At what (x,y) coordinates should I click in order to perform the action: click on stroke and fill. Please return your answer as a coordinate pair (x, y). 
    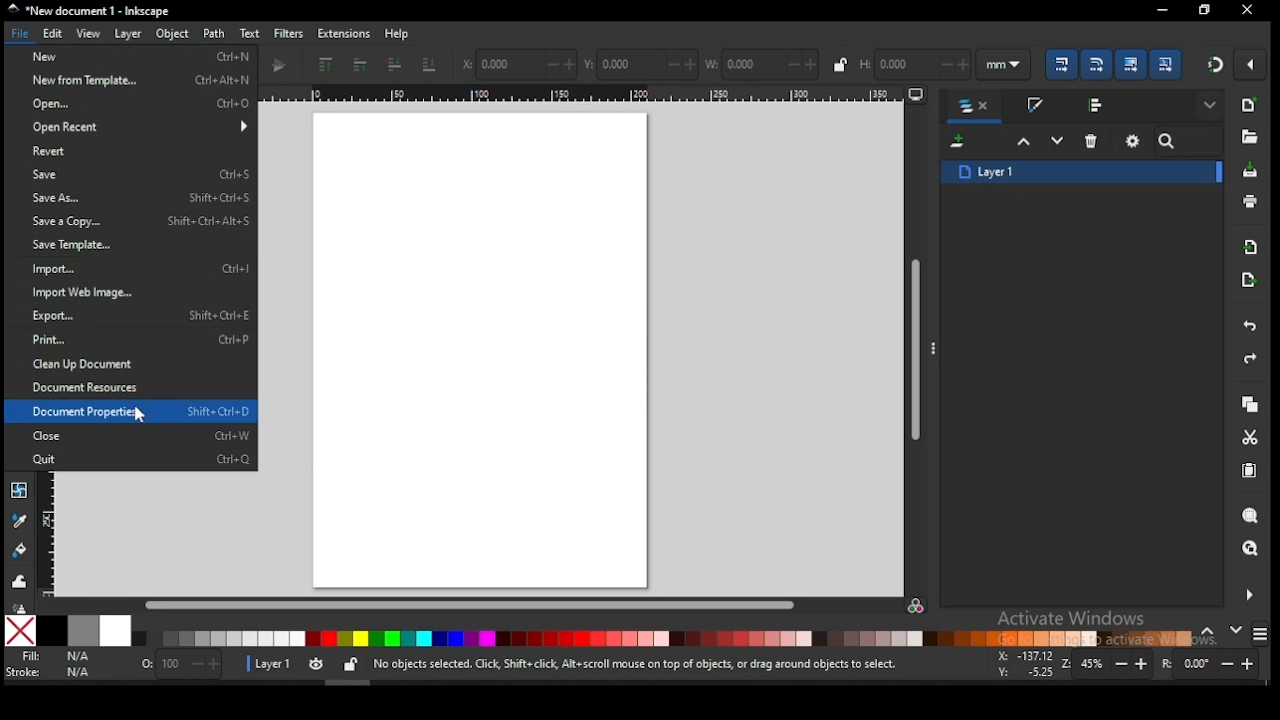
    Looking at the image, I should click on (1034, 106).